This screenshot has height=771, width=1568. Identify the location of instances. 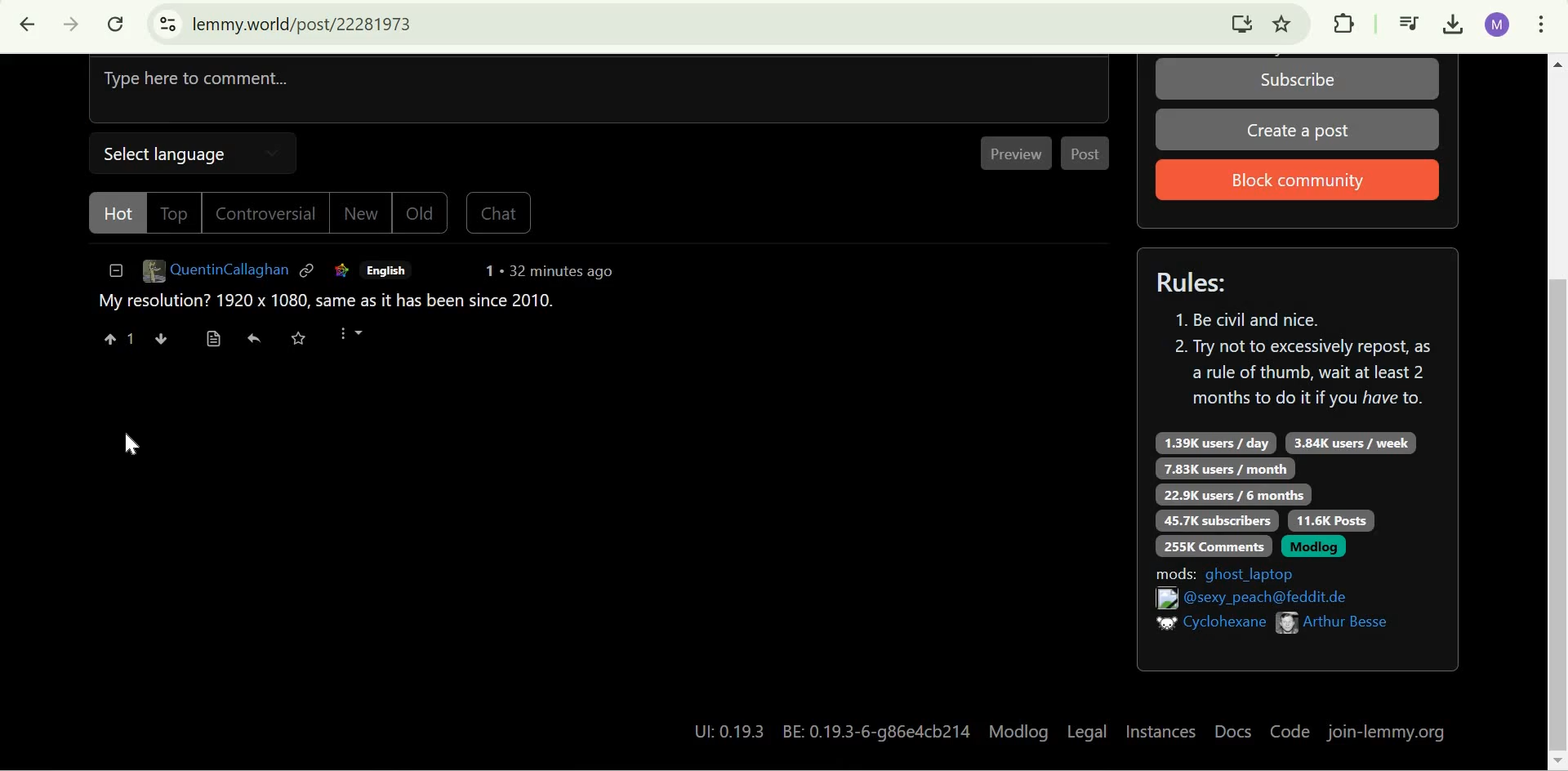
(1161, 733).